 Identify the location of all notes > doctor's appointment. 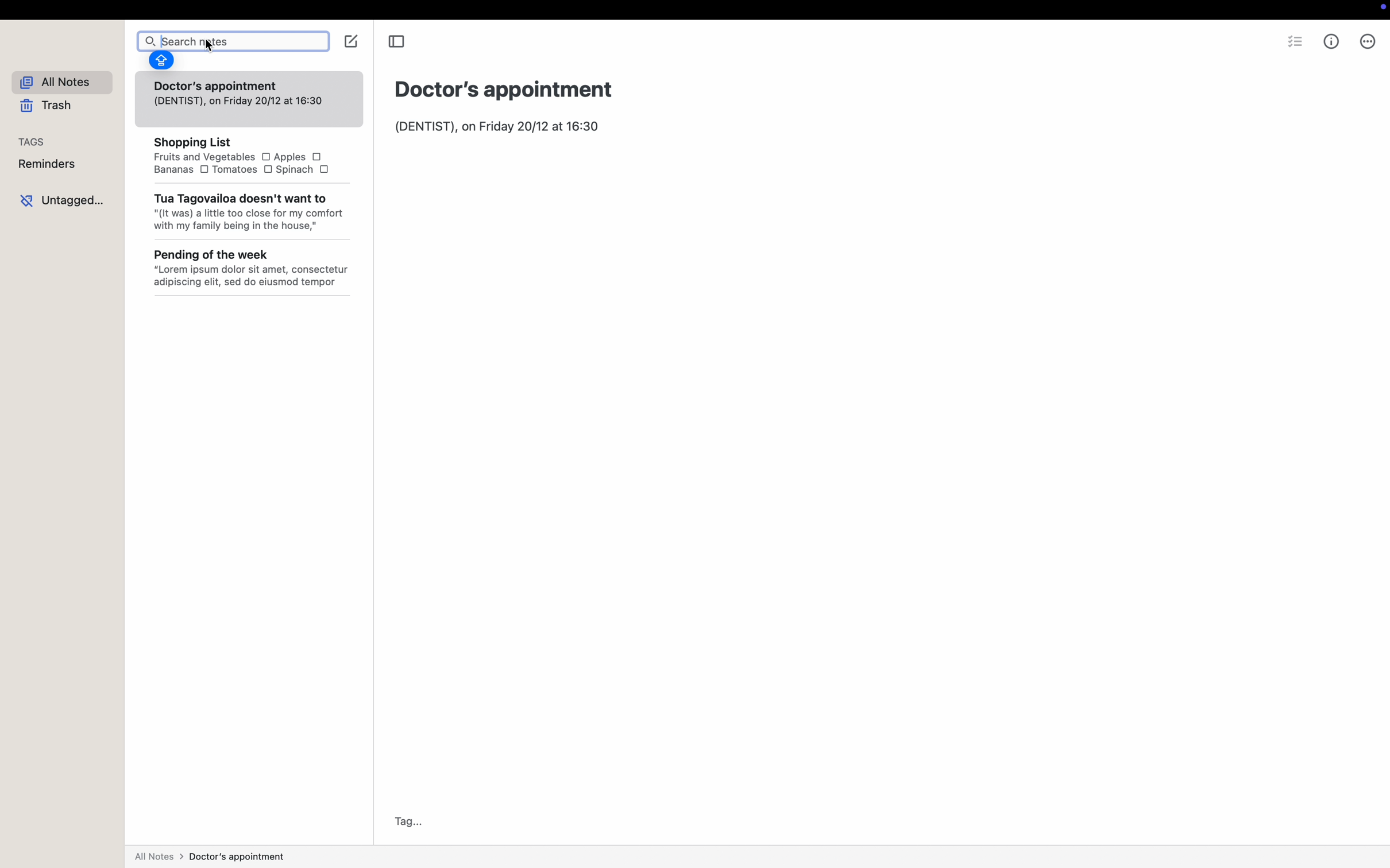
(211, 855).